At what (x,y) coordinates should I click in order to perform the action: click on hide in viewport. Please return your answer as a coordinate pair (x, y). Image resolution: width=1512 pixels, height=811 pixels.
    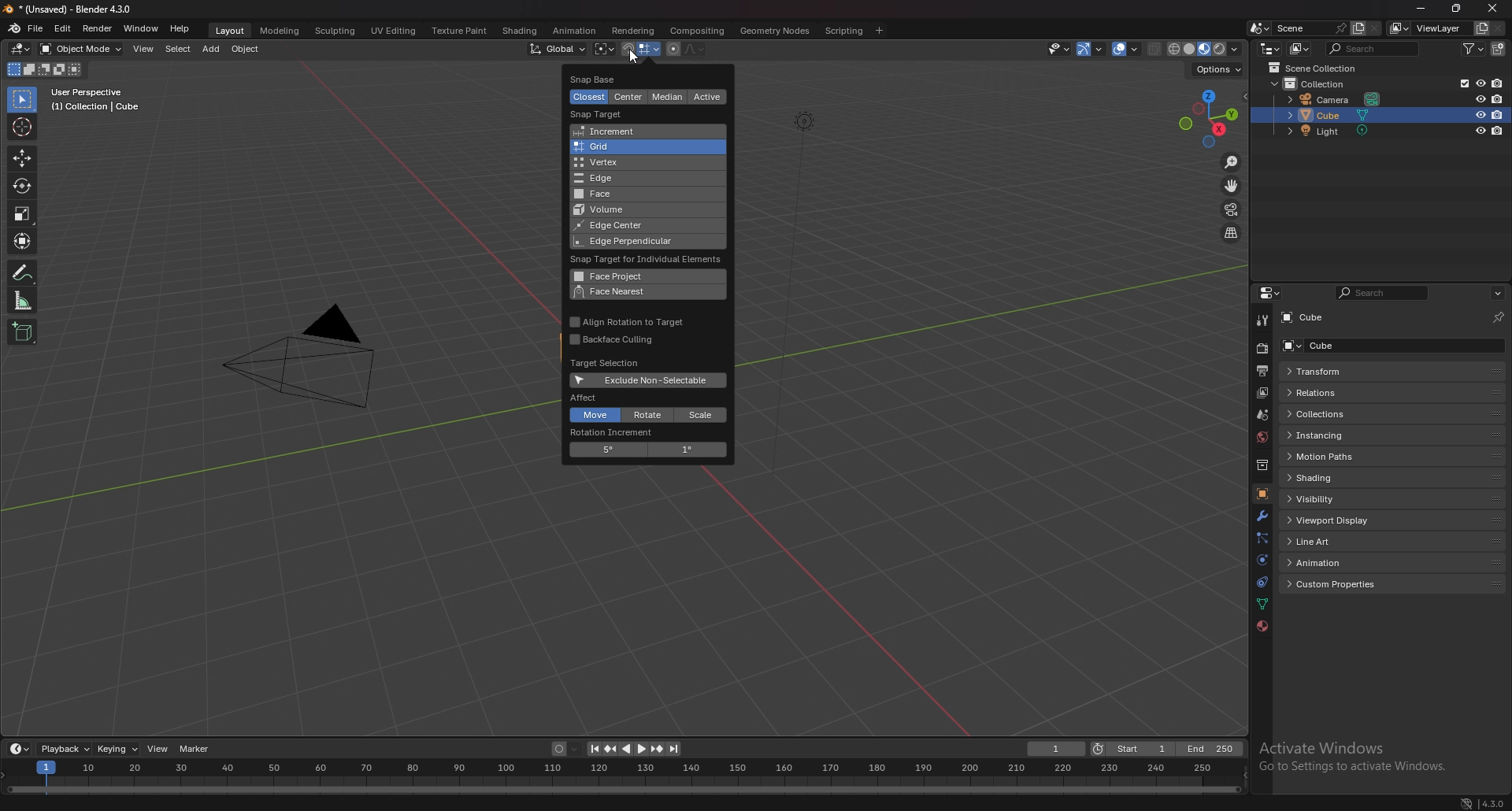
    Looking at the image, I should click on (1480, 131).